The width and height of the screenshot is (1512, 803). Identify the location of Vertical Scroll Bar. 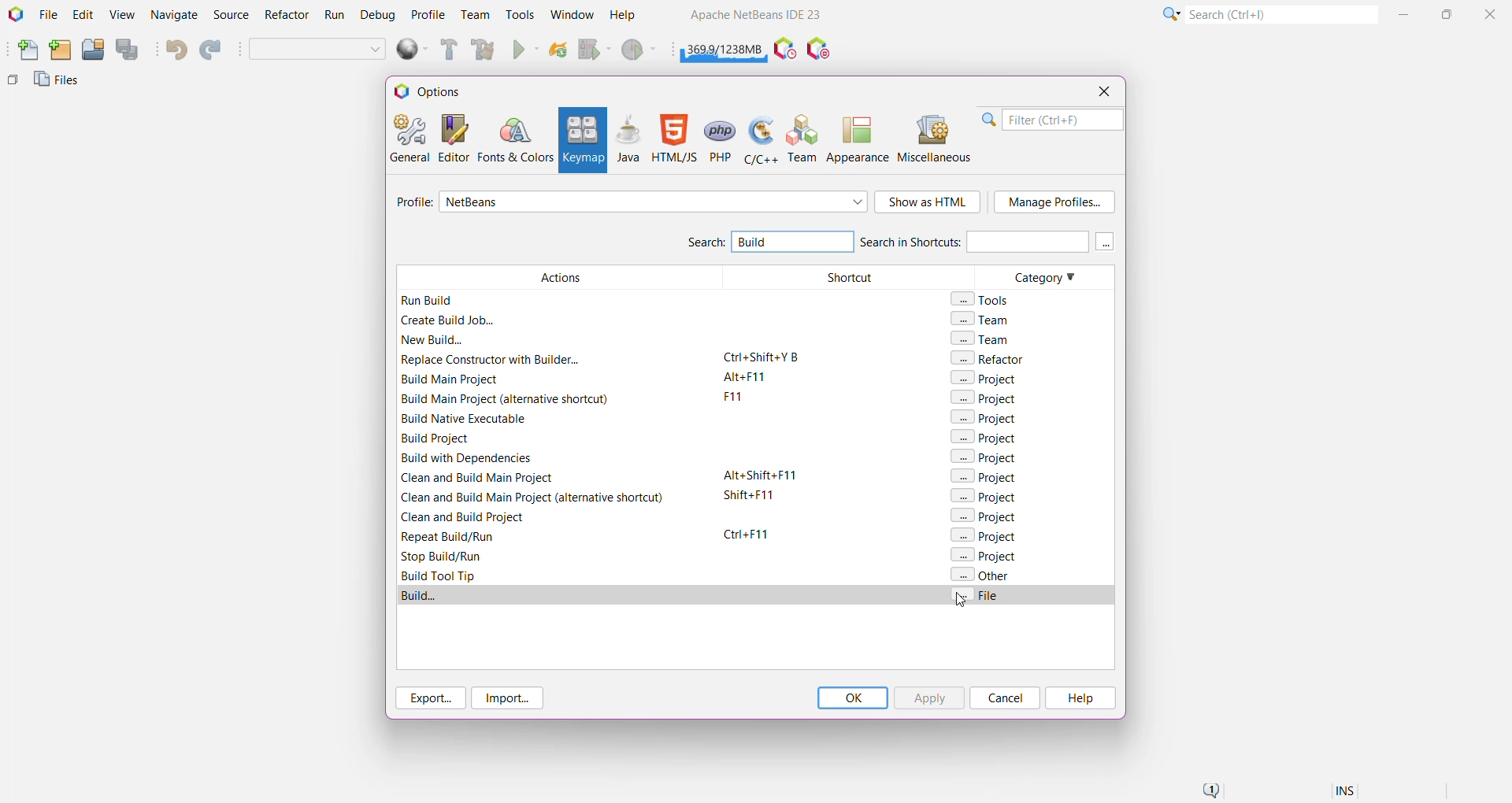
(1106, 424).